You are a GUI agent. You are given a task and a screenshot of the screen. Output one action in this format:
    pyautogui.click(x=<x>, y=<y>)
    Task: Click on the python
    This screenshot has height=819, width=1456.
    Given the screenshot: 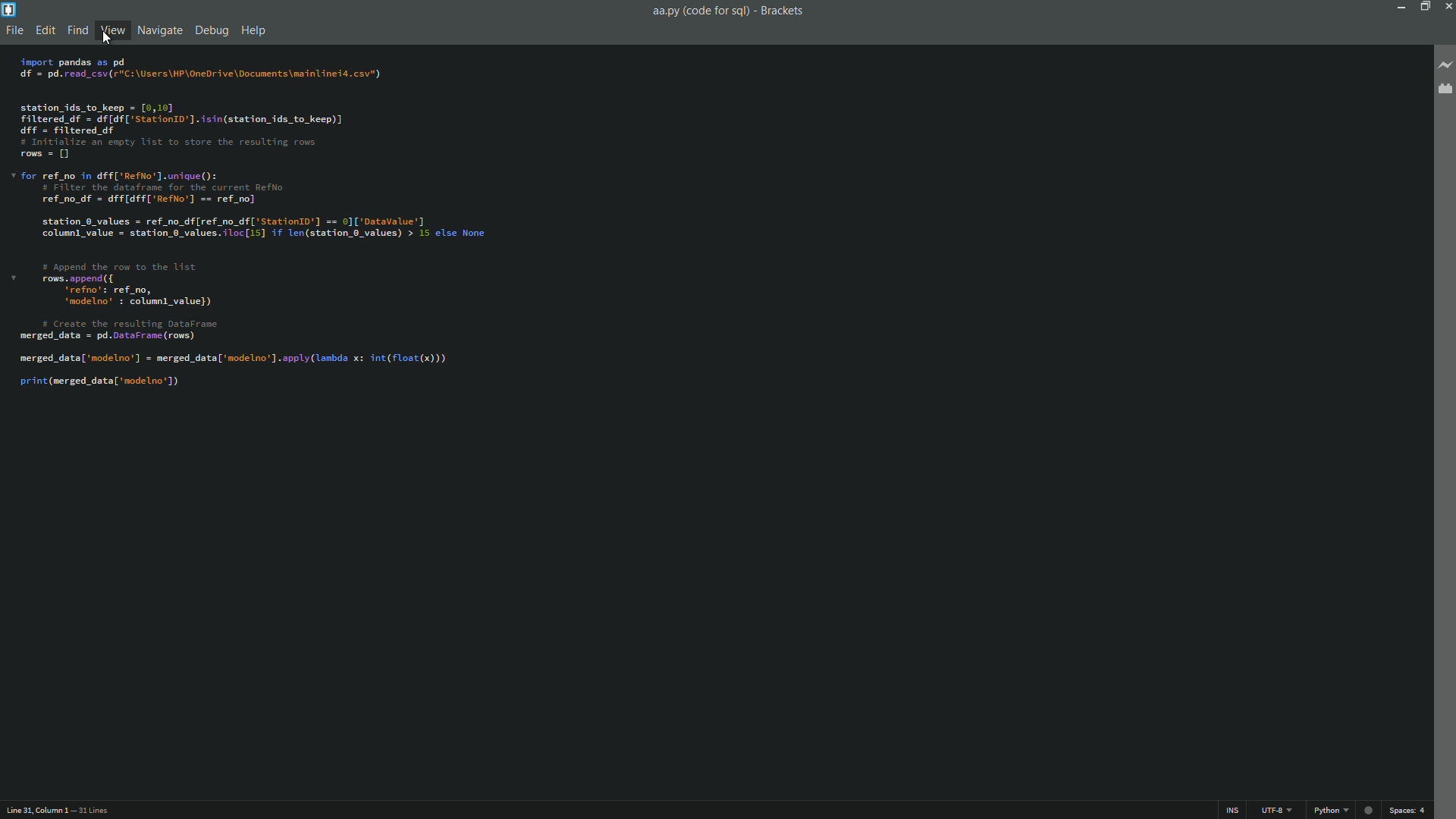 What is the action you would take?
    pyautogui.click(x=1332, y=811)
    